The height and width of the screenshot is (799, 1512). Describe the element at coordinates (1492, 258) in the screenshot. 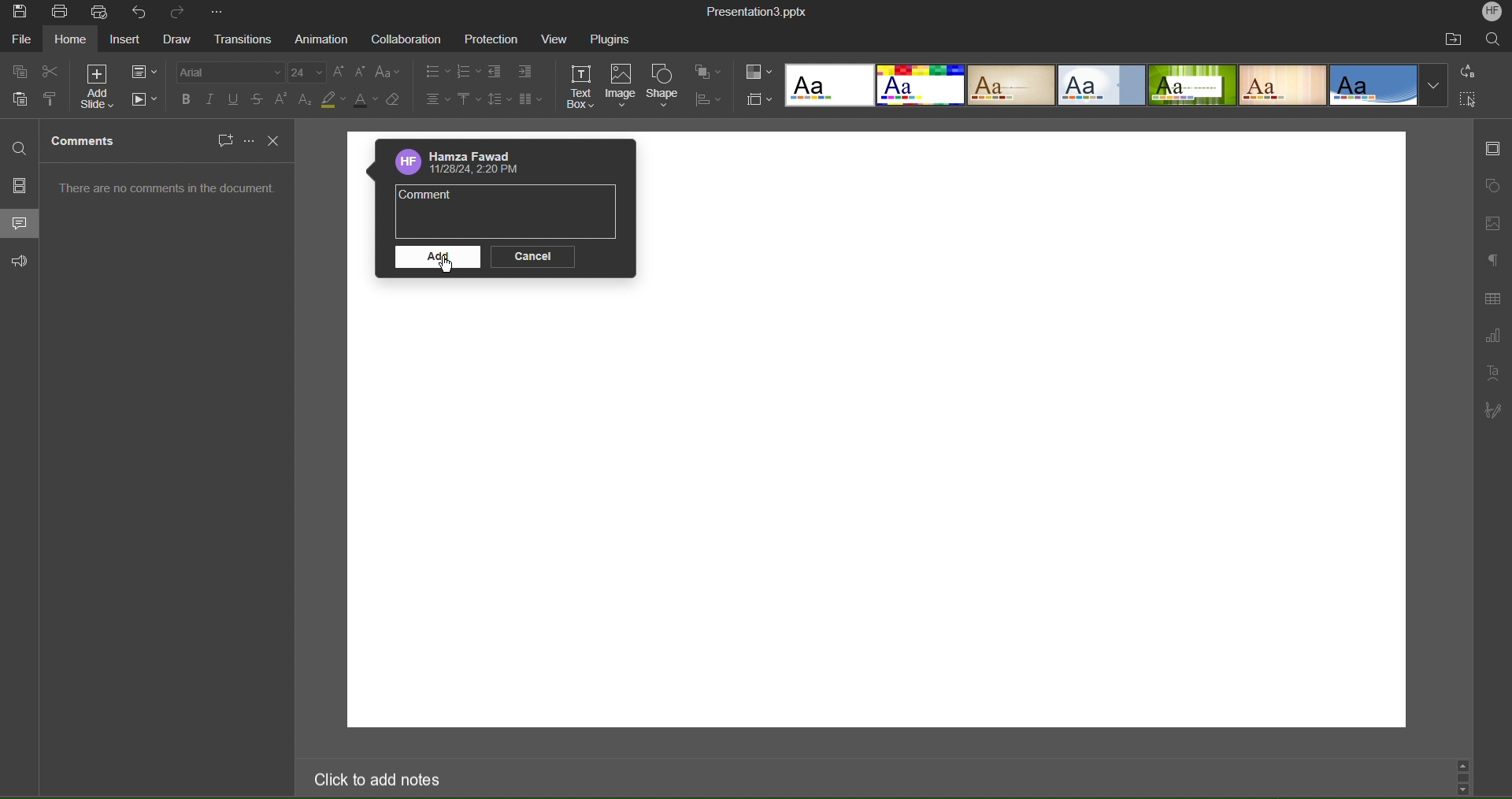

I see `Paragraph Settings` at that location.